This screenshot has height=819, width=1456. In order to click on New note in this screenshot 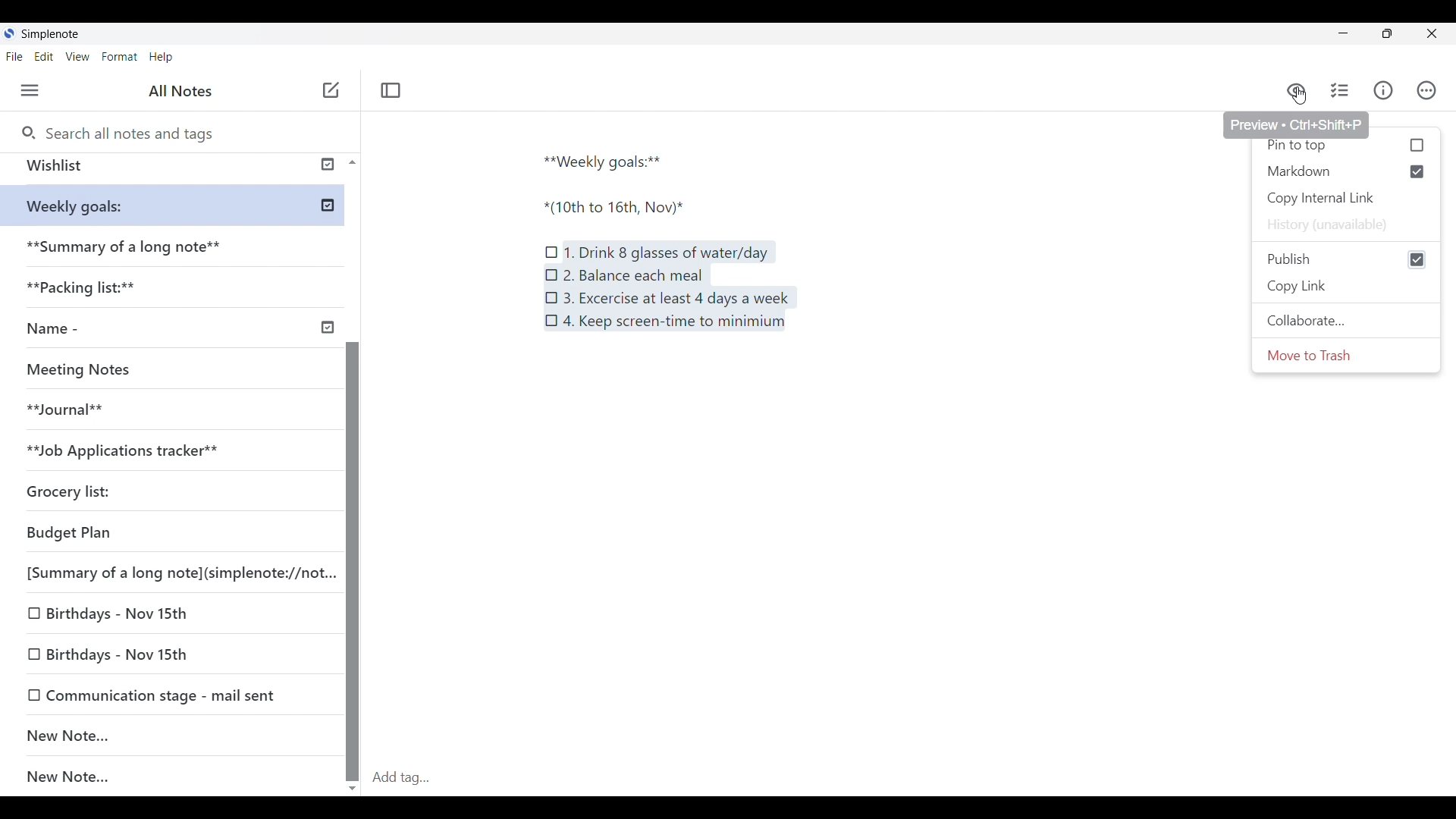, I will do `click(164, 735)`.